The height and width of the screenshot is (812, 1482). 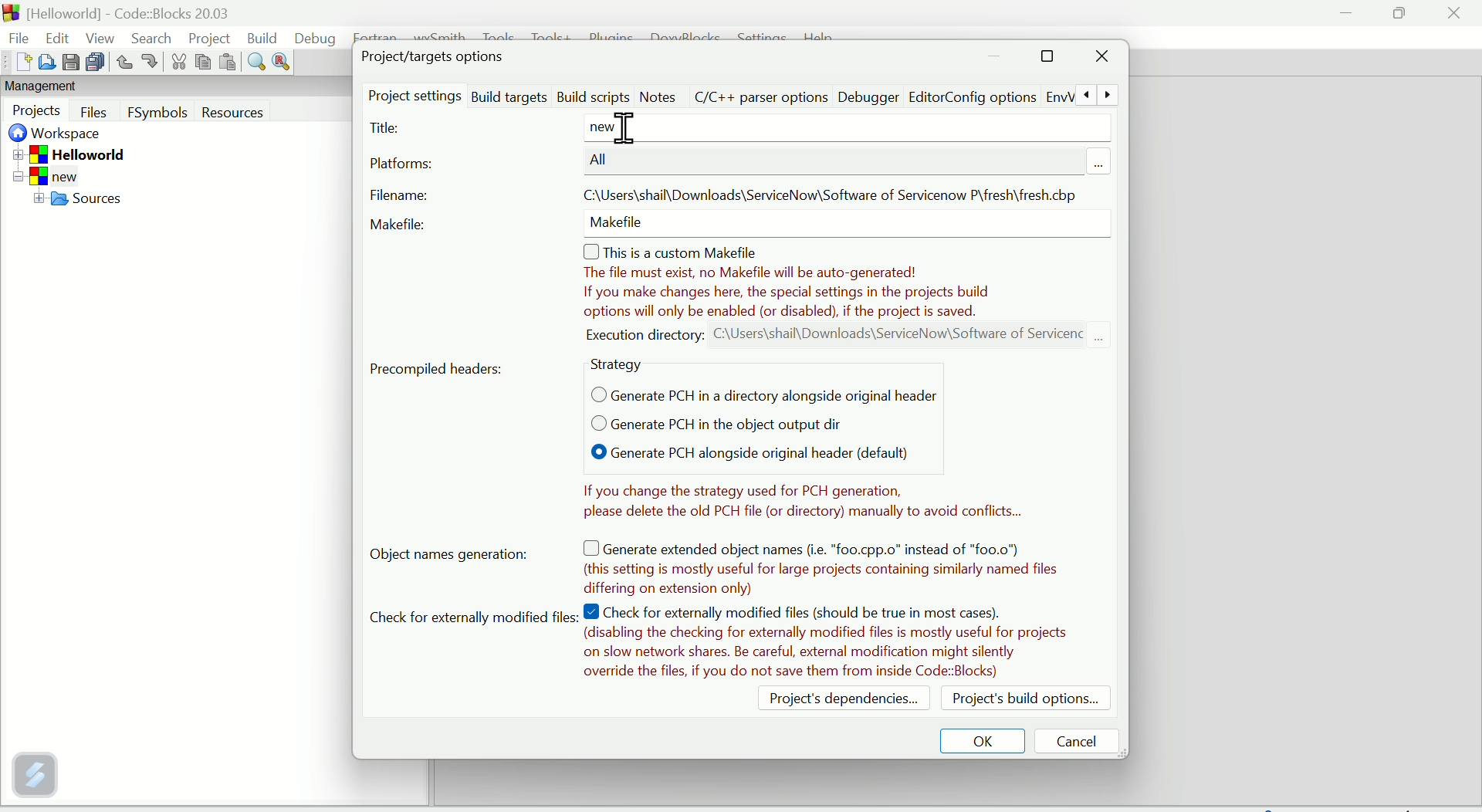 I want to click on Close, so click(x=1101, y=59).